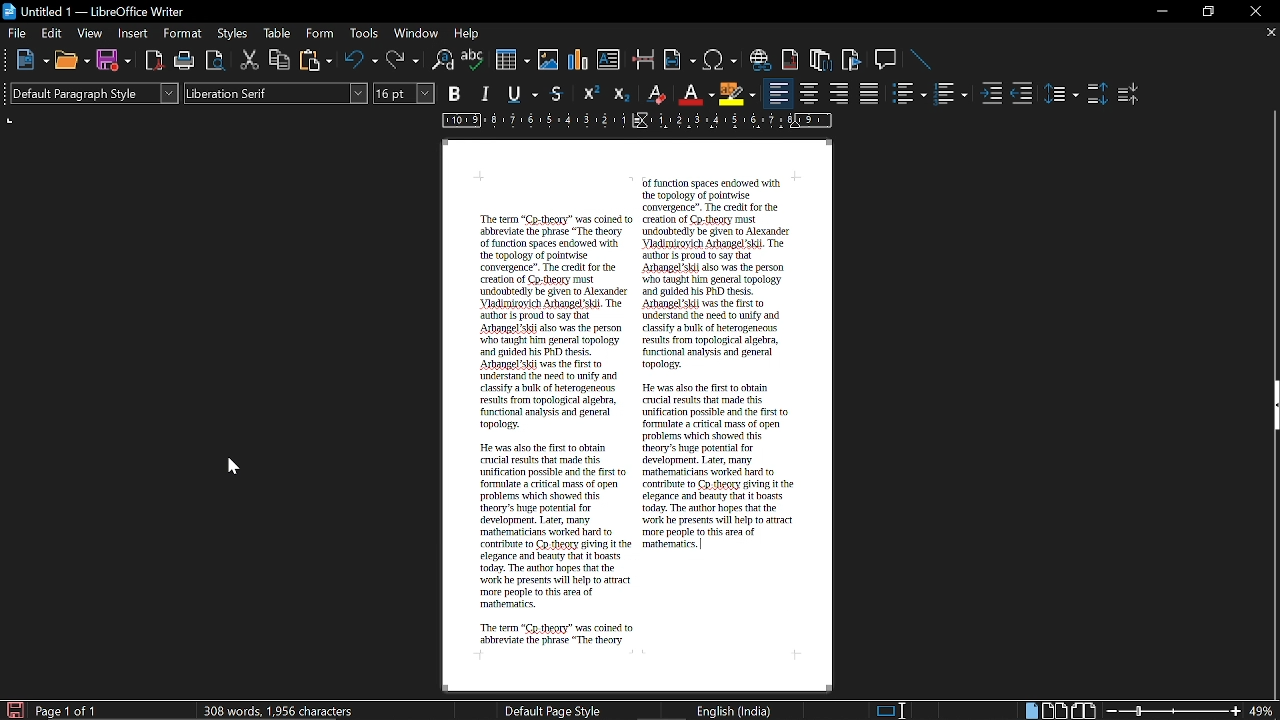  I want to click on Insert, so click(134, 34).